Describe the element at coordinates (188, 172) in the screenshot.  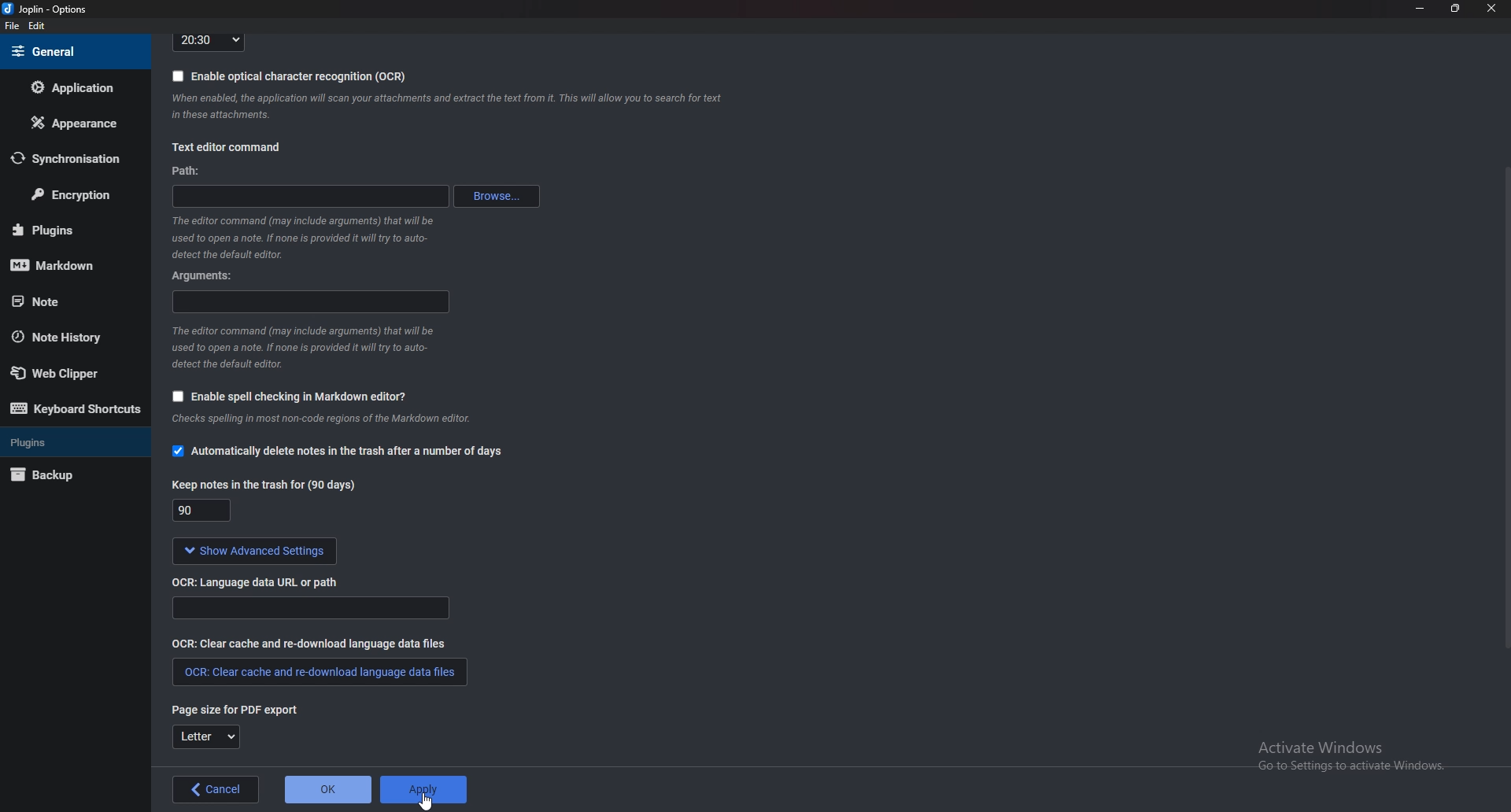
I see `path` at that location.